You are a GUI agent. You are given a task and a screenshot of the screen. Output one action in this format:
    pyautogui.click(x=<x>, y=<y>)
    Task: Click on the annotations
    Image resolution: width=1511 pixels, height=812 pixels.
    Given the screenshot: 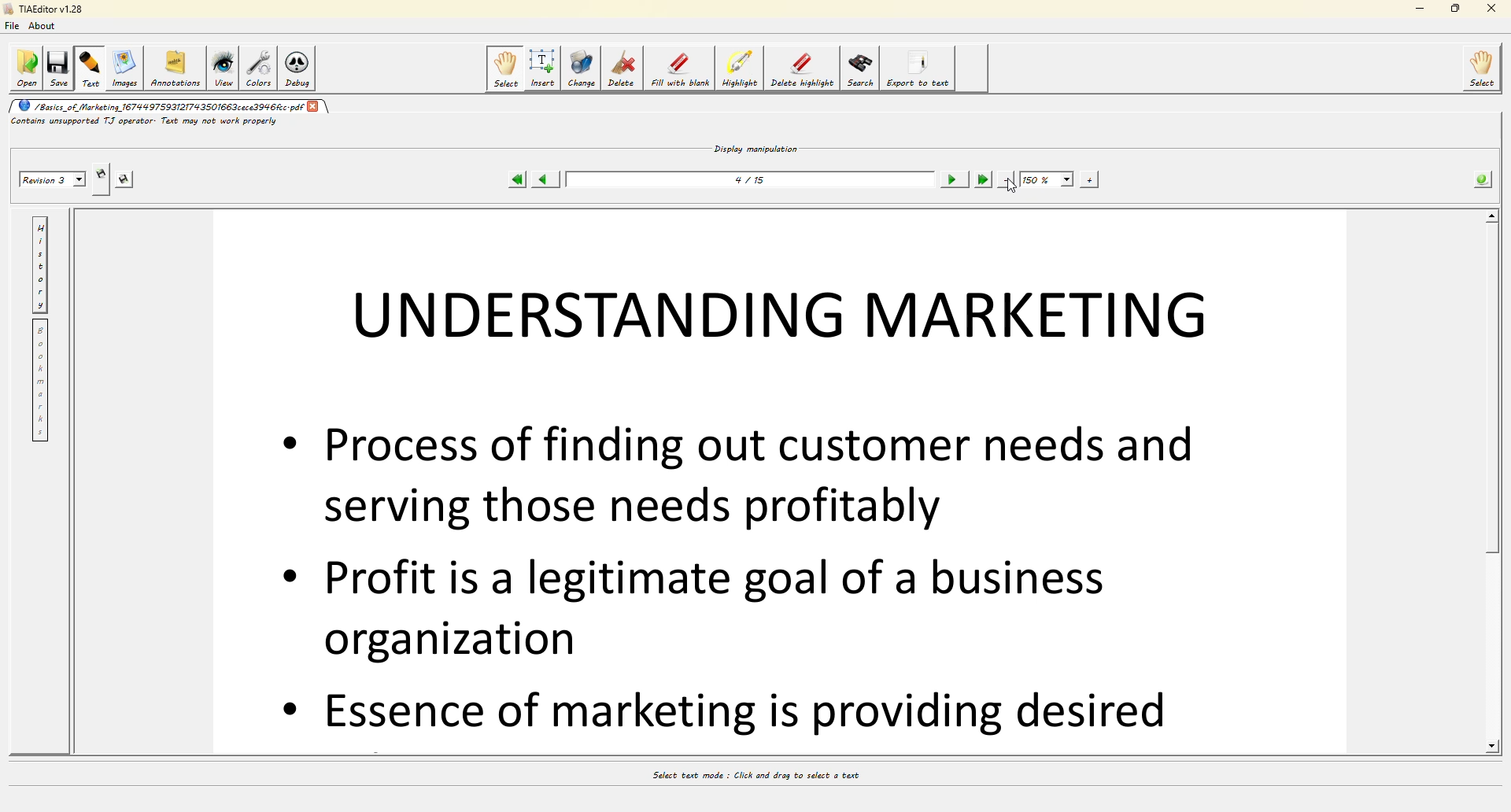 What is the action you would take?
    pyautogui.click(x=175, y=66)
    